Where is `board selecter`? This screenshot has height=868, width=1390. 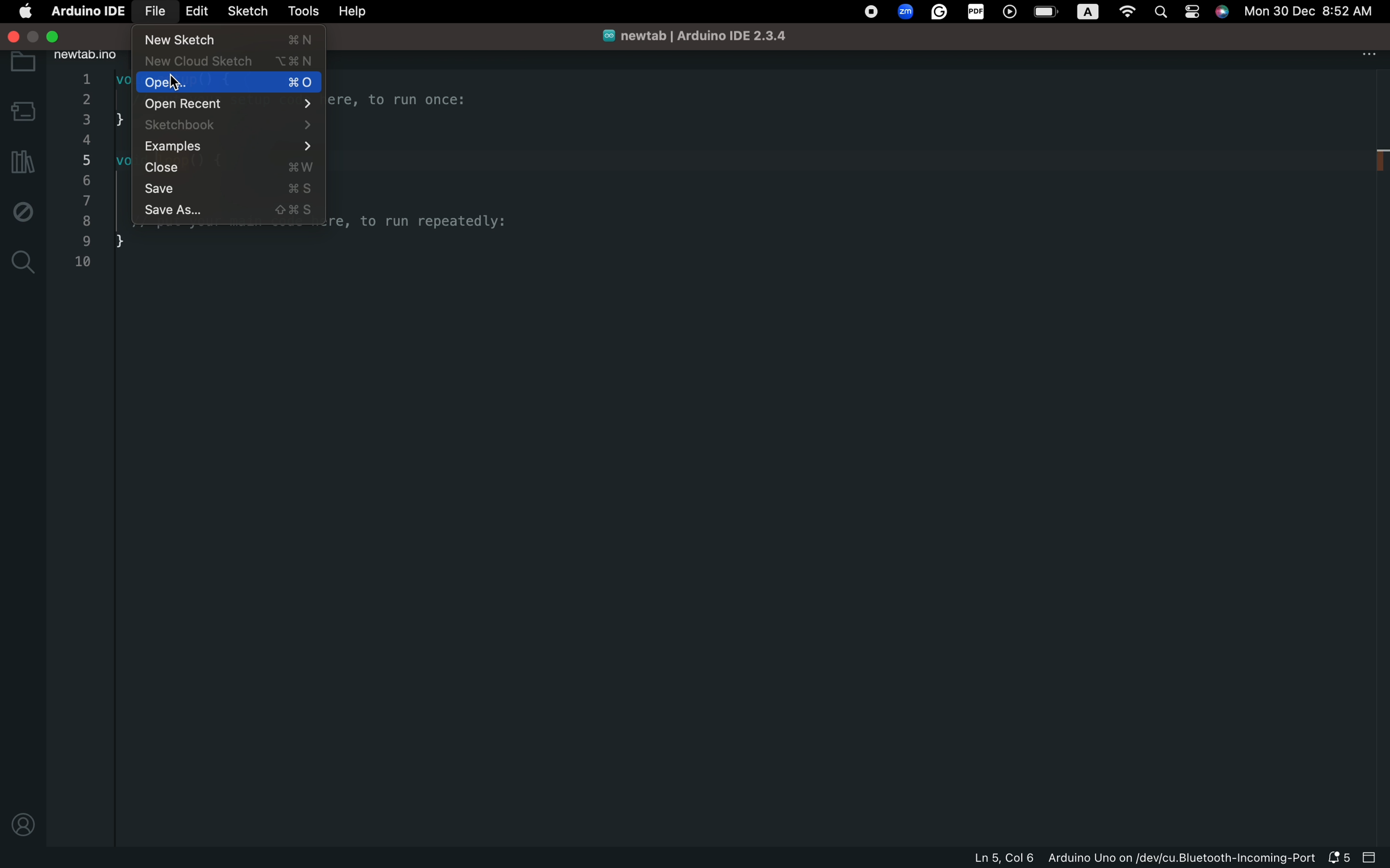 board selecter is located at coordinates (24, 113).